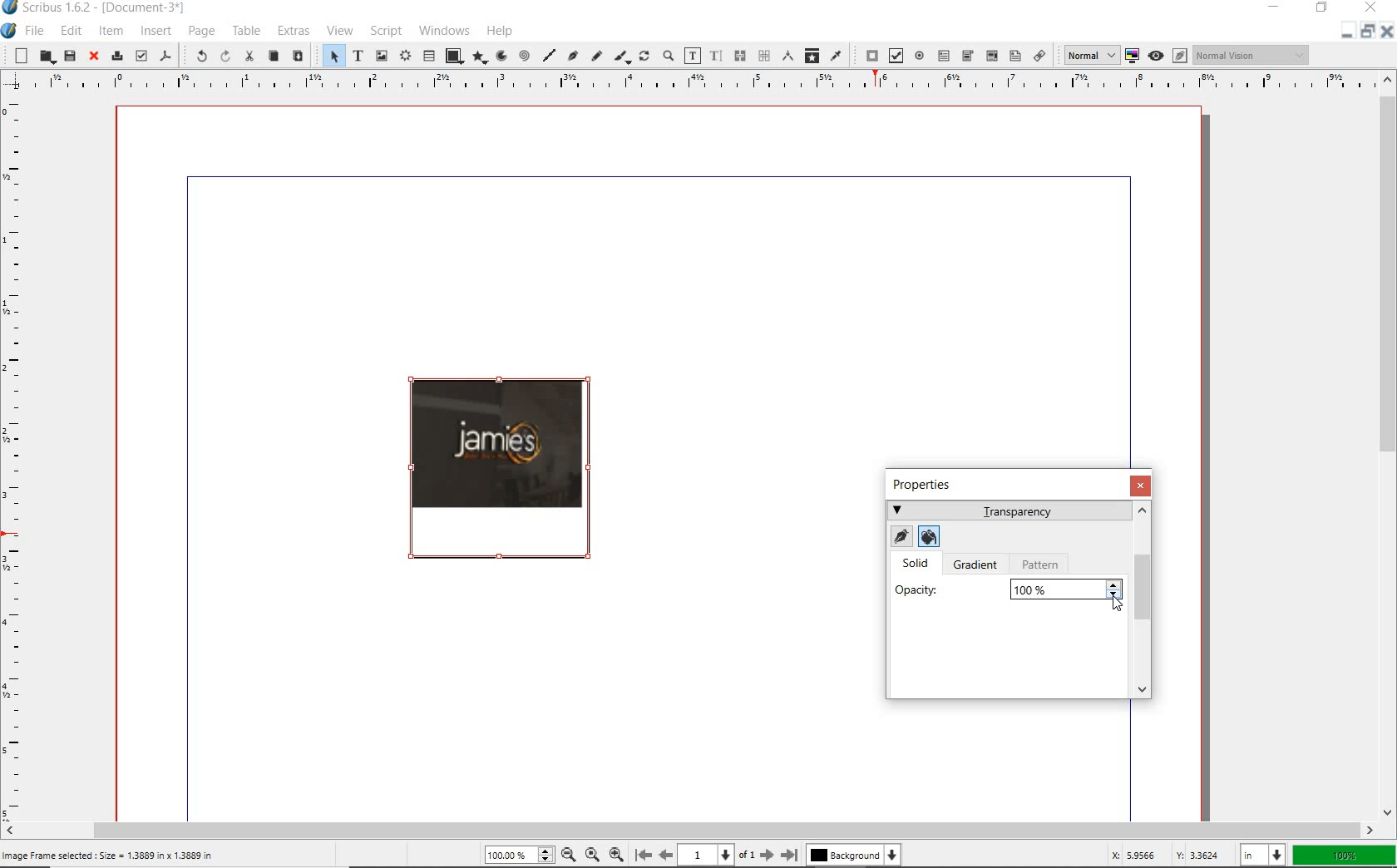 This screenshot has width=1397, height=868. Describe the element at coordinates (717, 856) in the screenshot. I see `current page` at that location.